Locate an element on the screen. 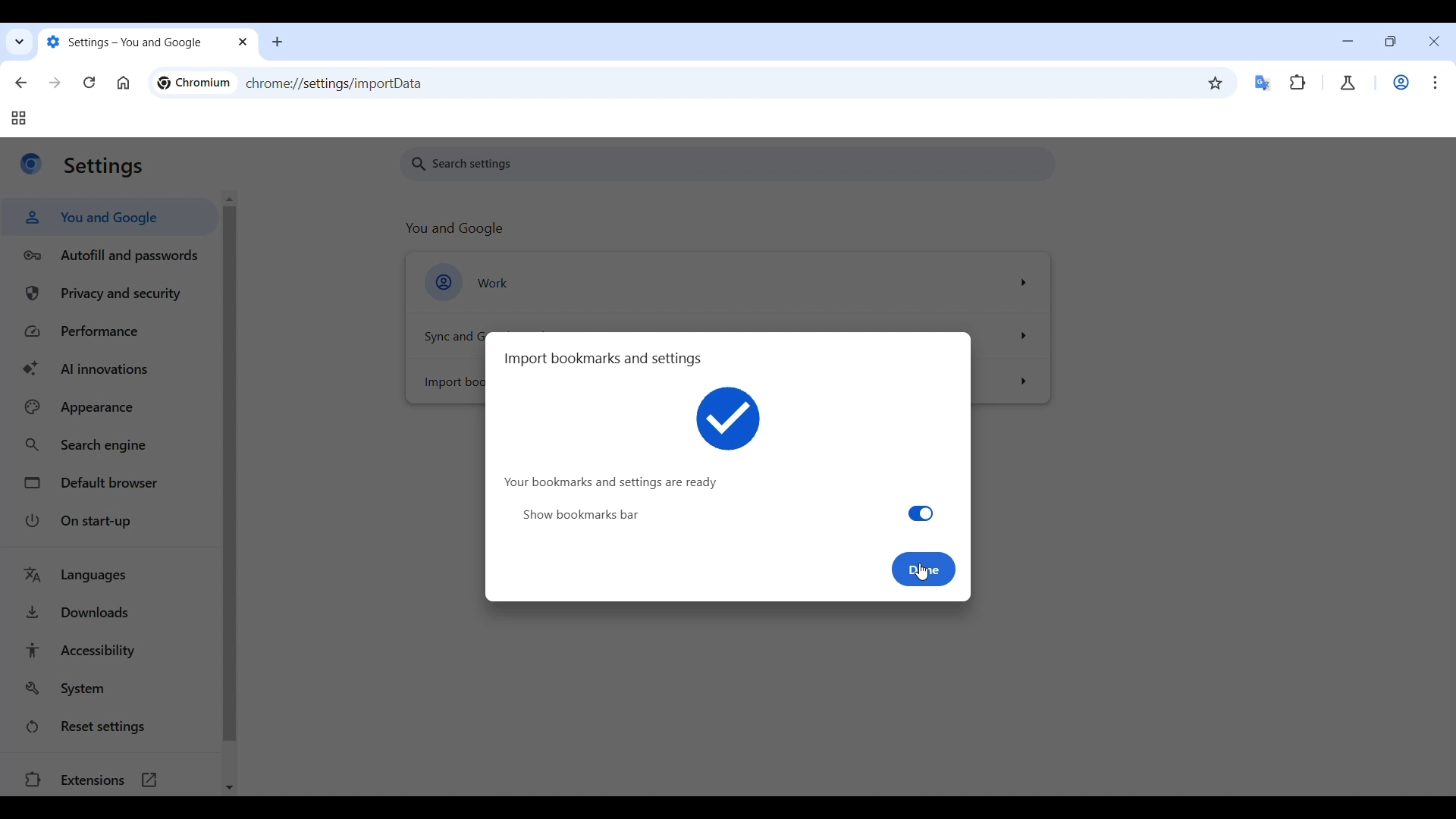 Image resolution: width=1456 pixels, height=819 pixels. settings is located at coordinates (104, 167).